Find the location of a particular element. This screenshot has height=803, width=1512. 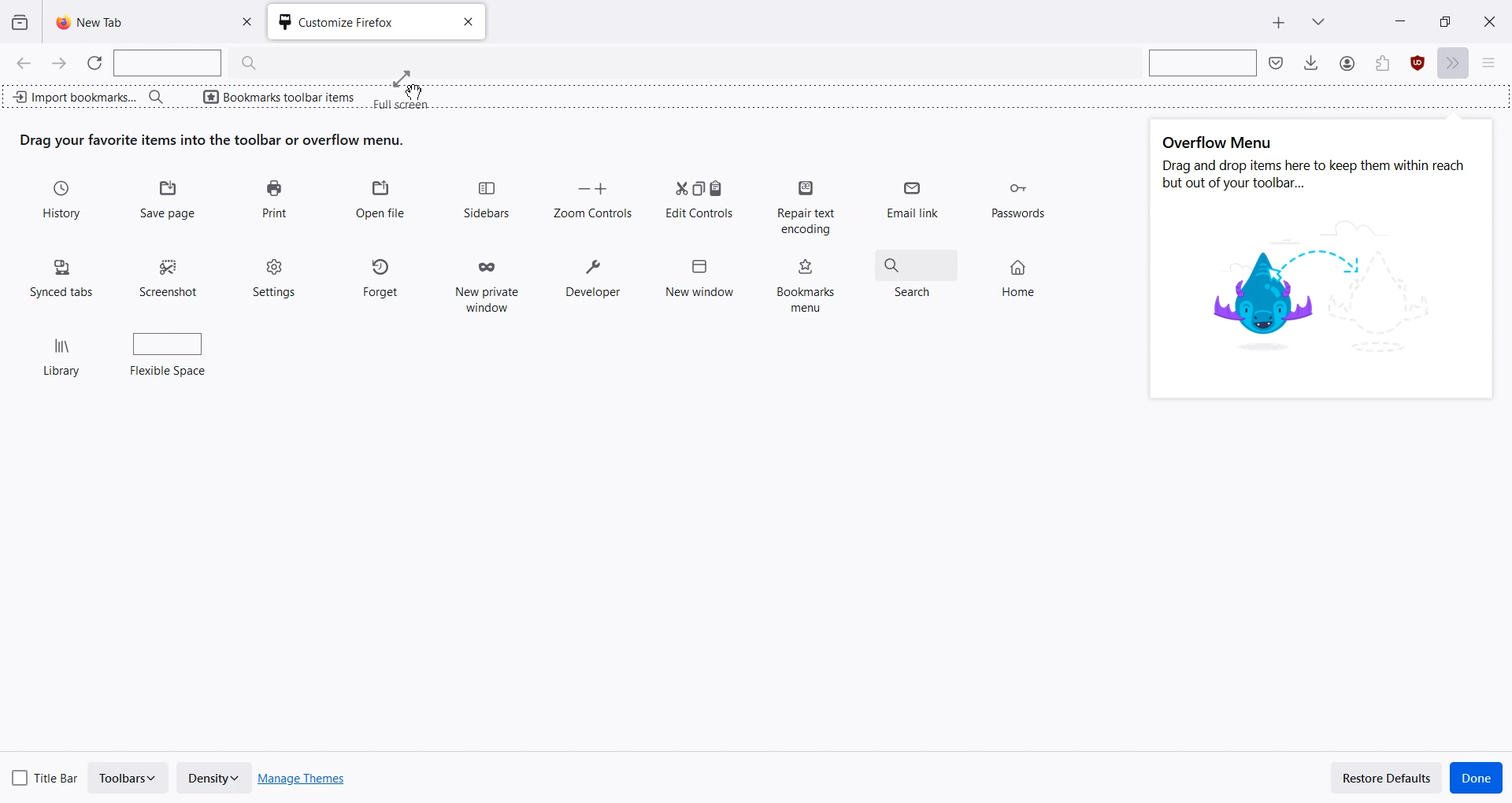

Import bookmark is located at coordinates (74, 94).